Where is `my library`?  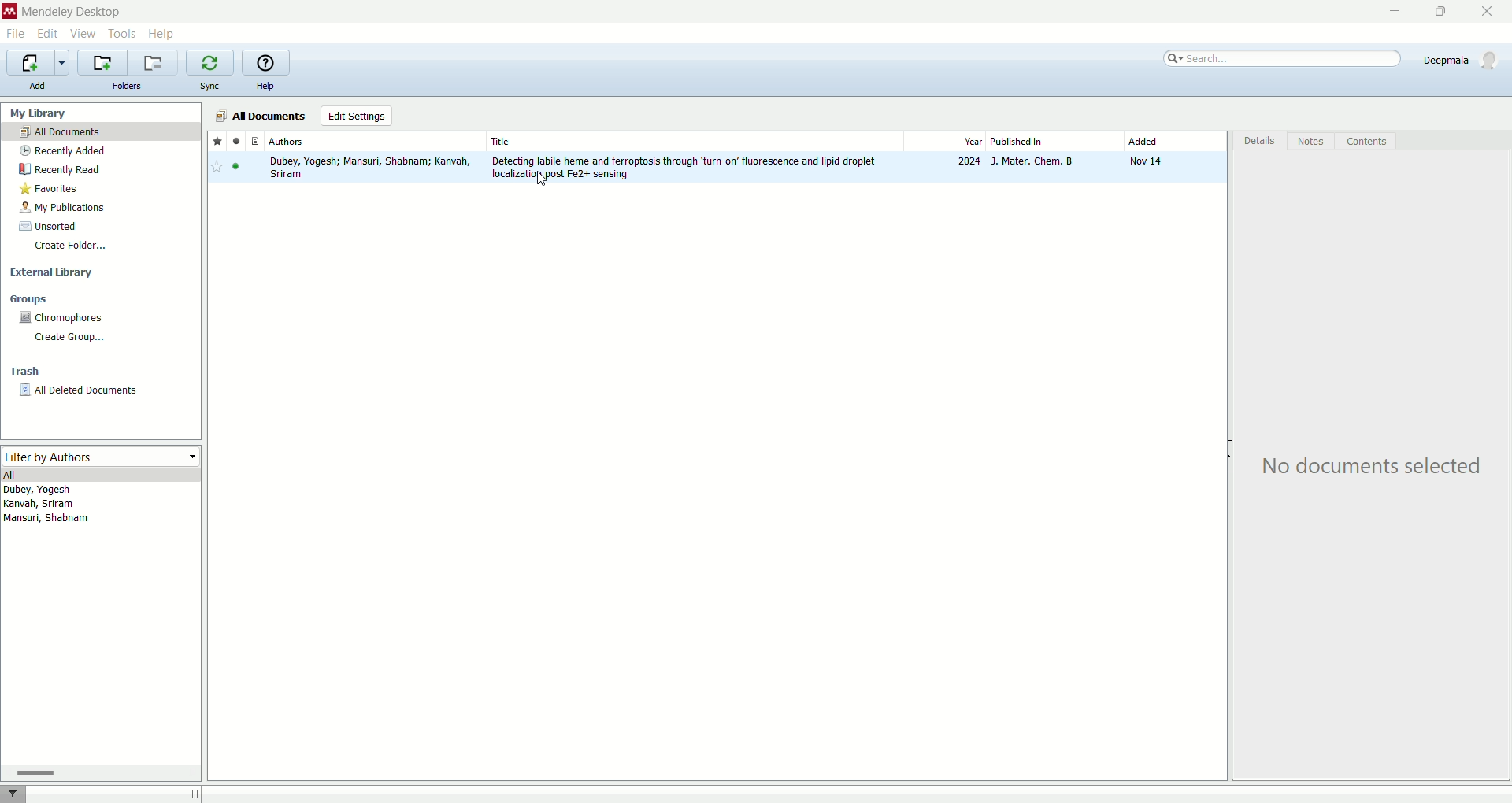
my library is located at coordinates (40, 113).